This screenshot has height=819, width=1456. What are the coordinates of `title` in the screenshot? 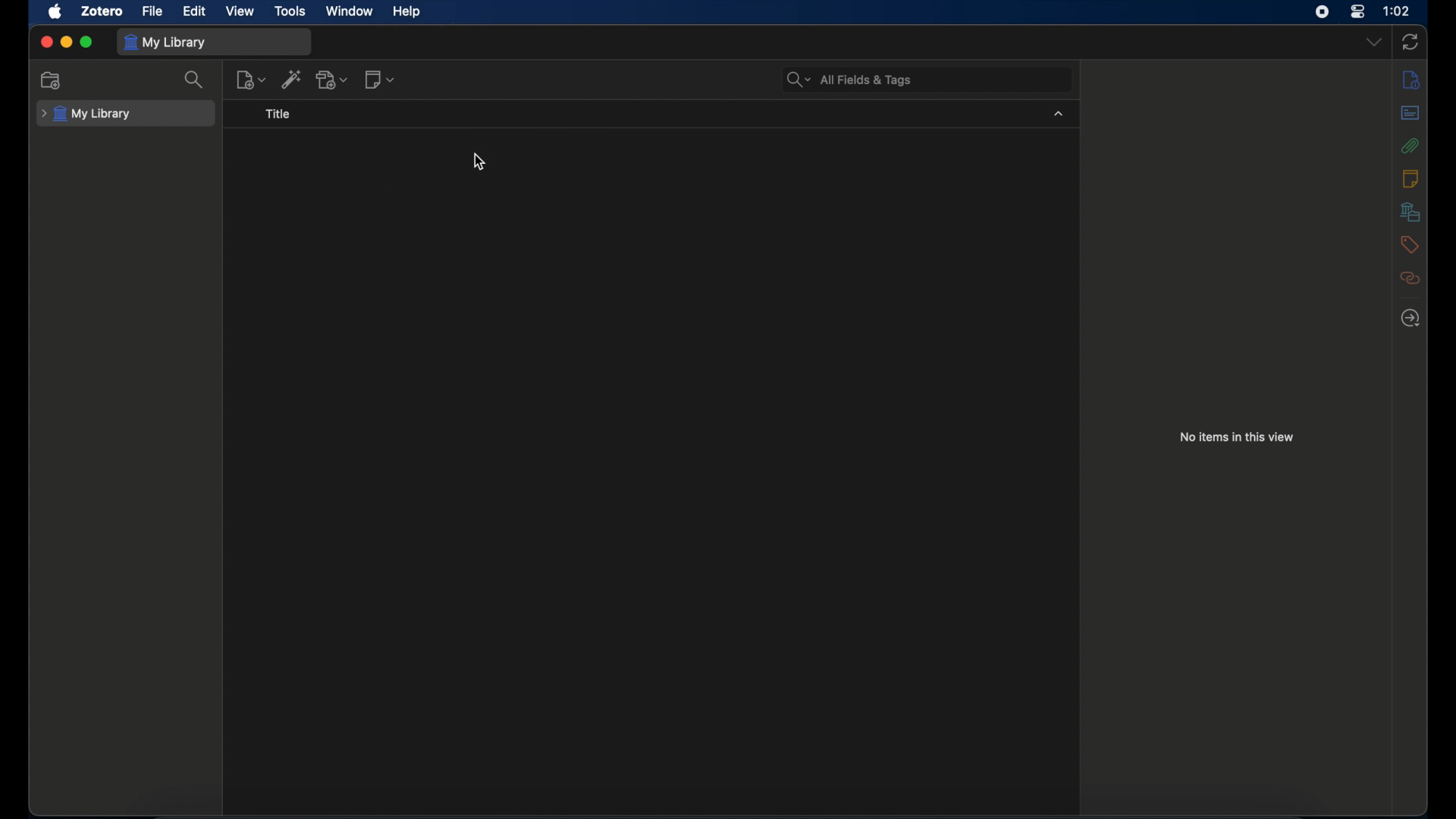 It's located at (277, 114).